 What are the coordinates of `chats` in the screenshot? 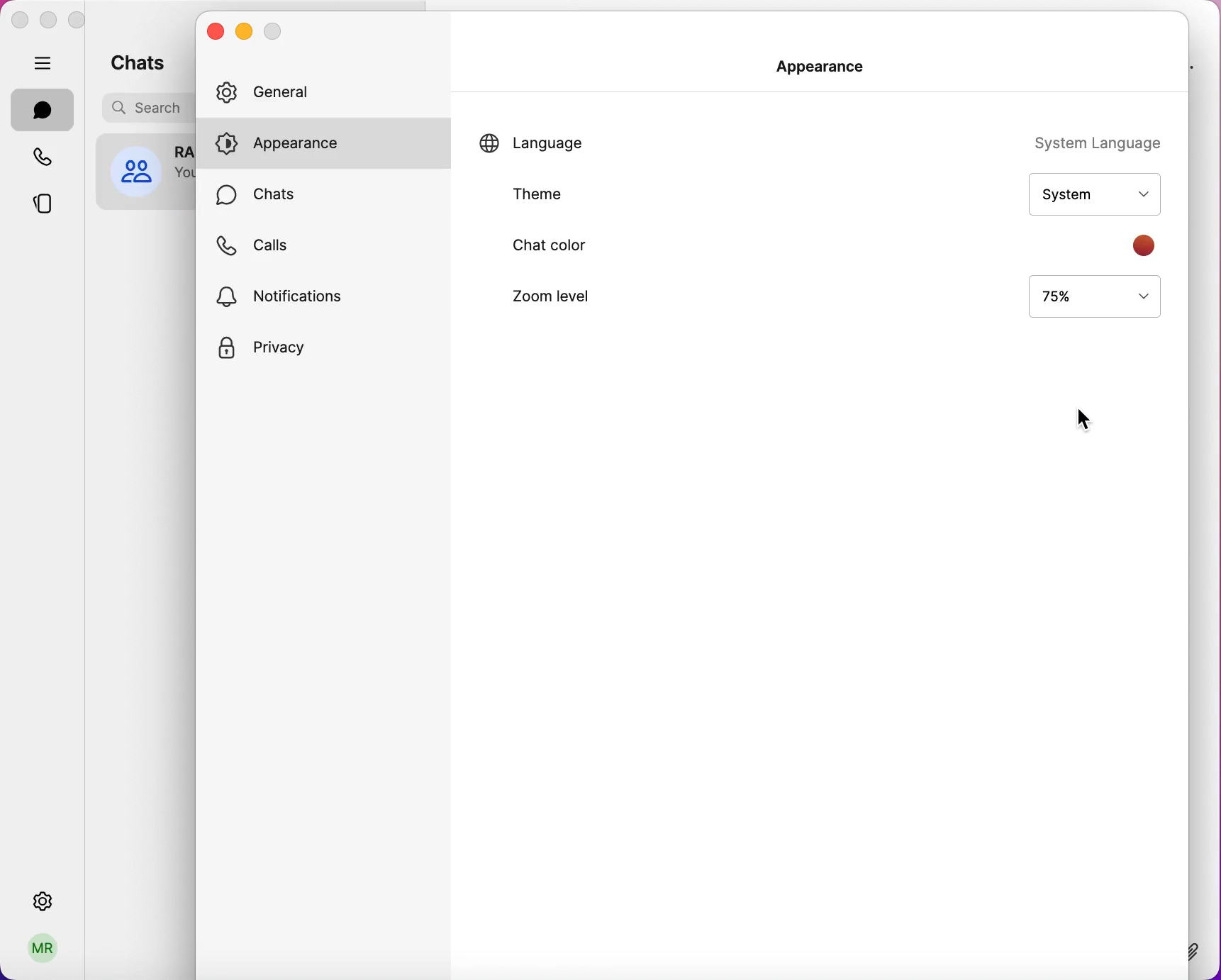 It's located at (143, 62).